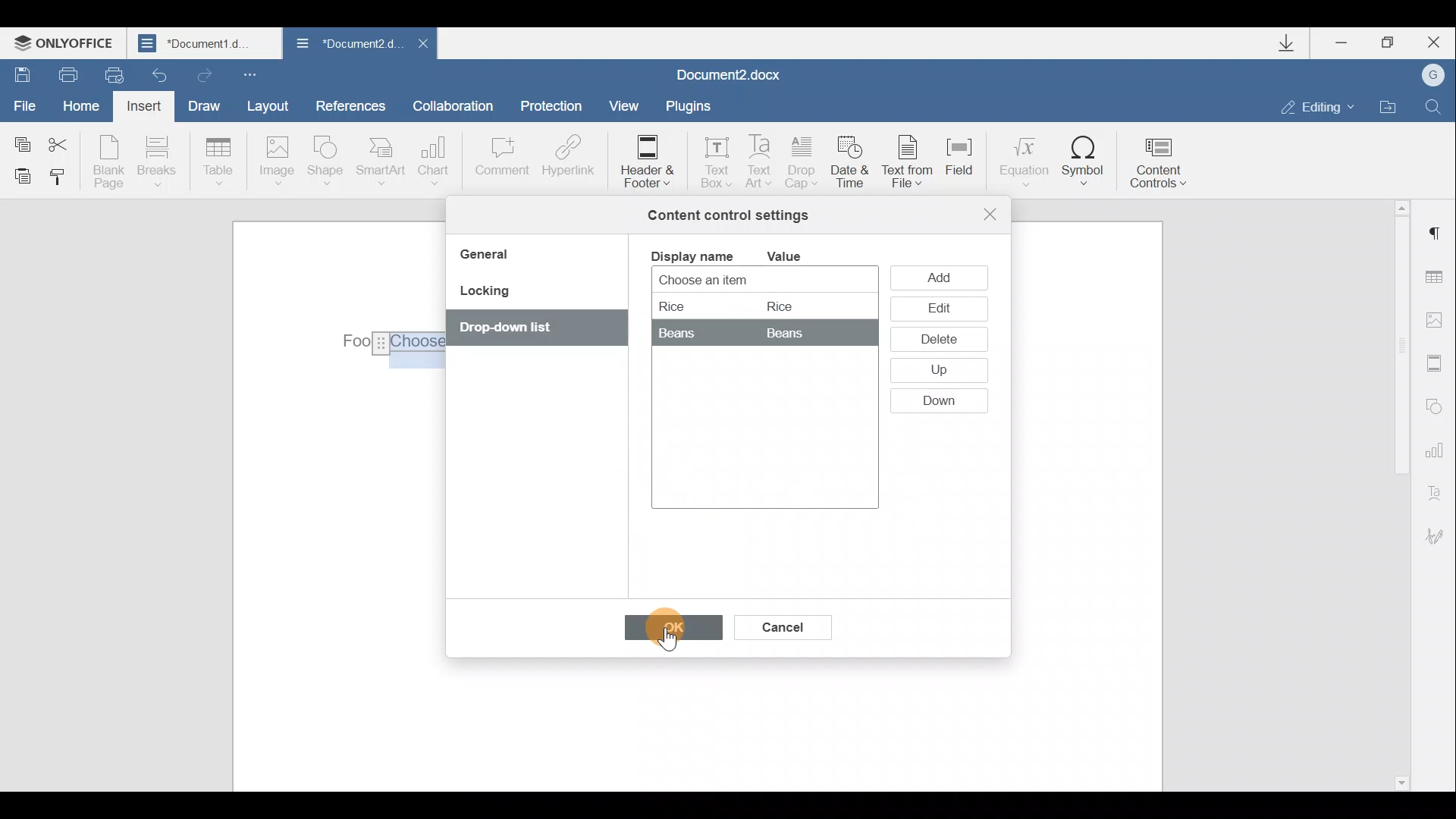 The width and height of the screenshot is (1456, 819). Describe the element at coordinates (946, 401) in the screenshot. I see `Down` at that location.